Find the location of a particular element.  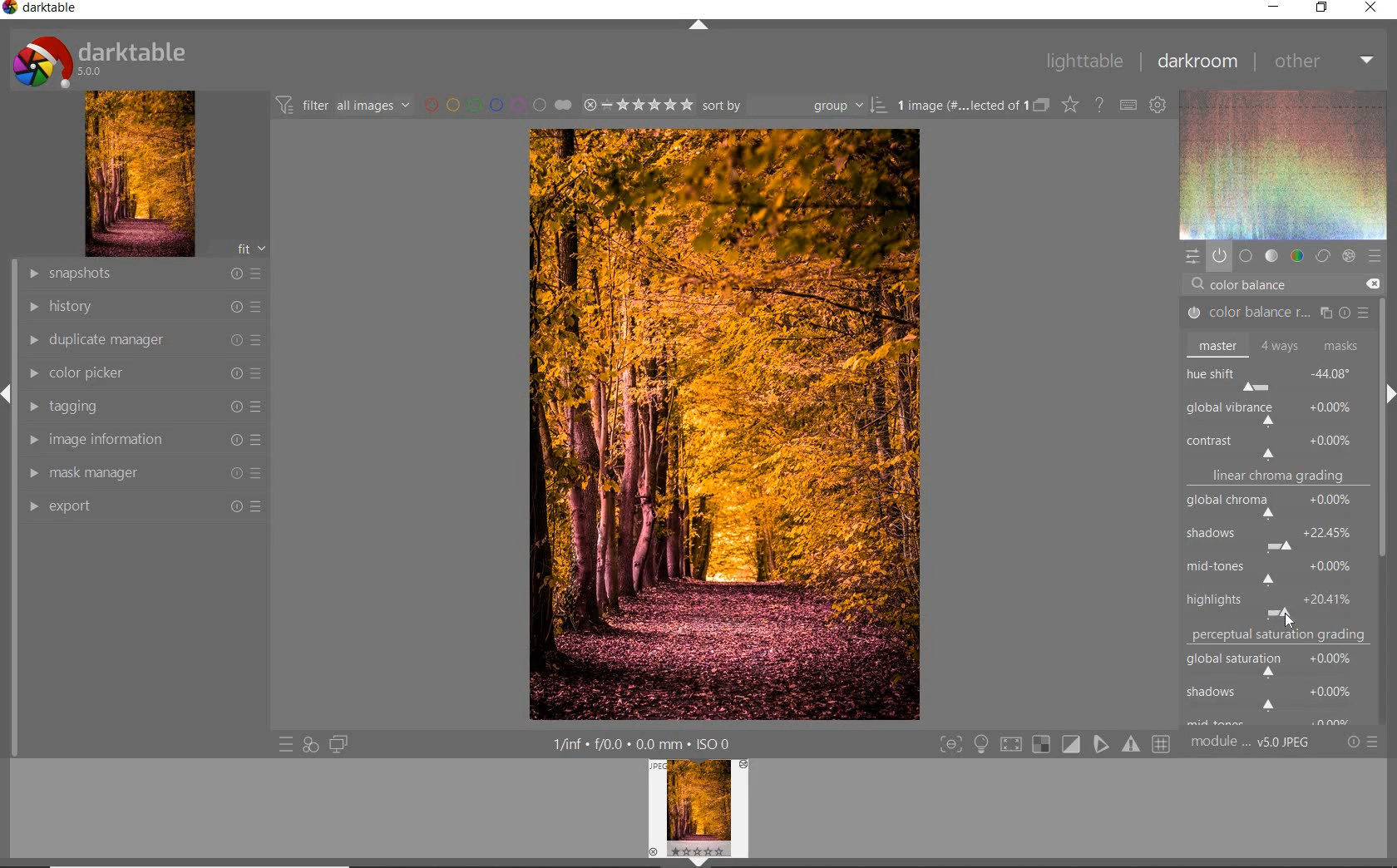

filter images is located at coordinates (342, 106).